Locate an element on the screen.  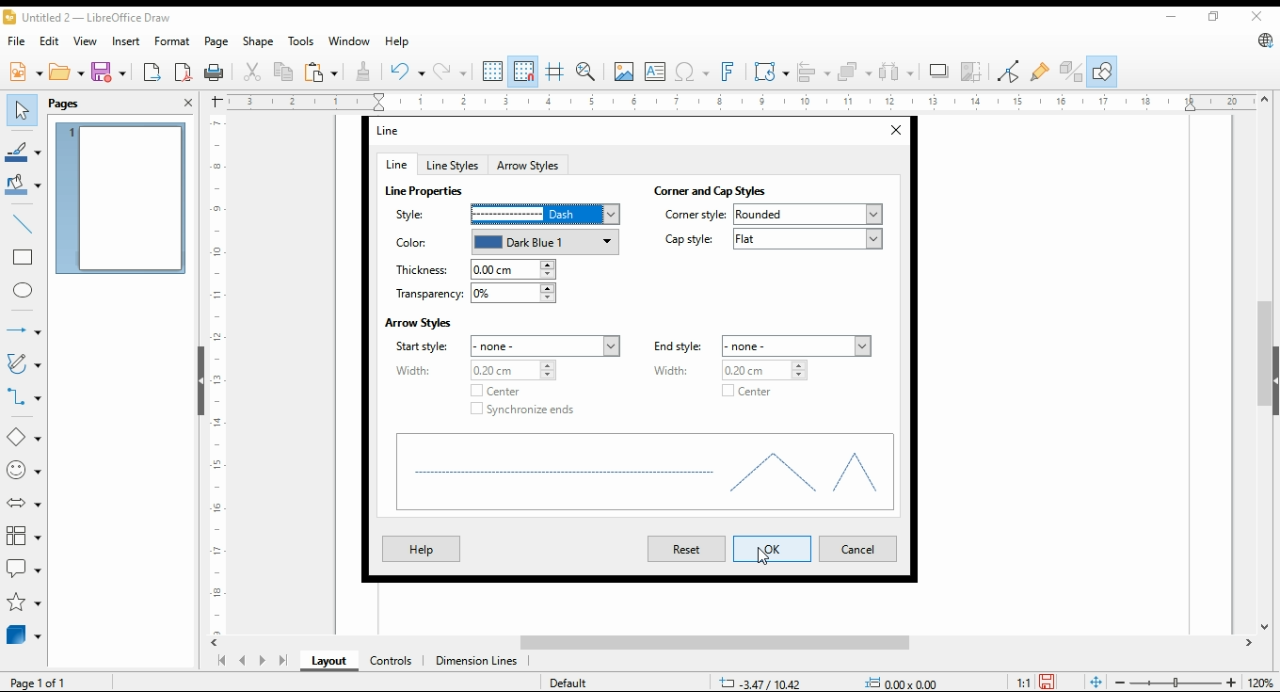
show gluepoint functions is located at coordinates (1038, 71).